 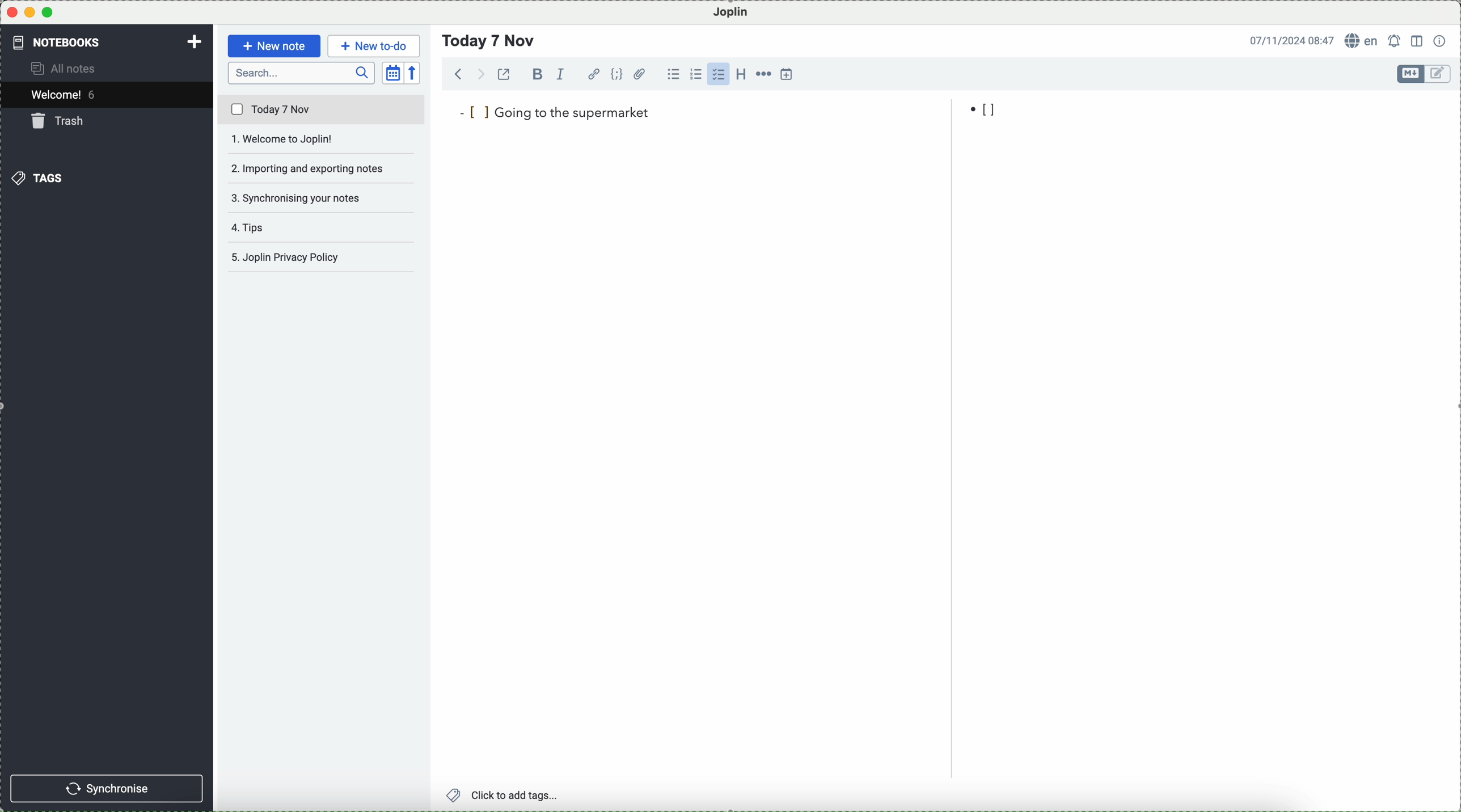 I want to click on code, so click(x=617, y=74).